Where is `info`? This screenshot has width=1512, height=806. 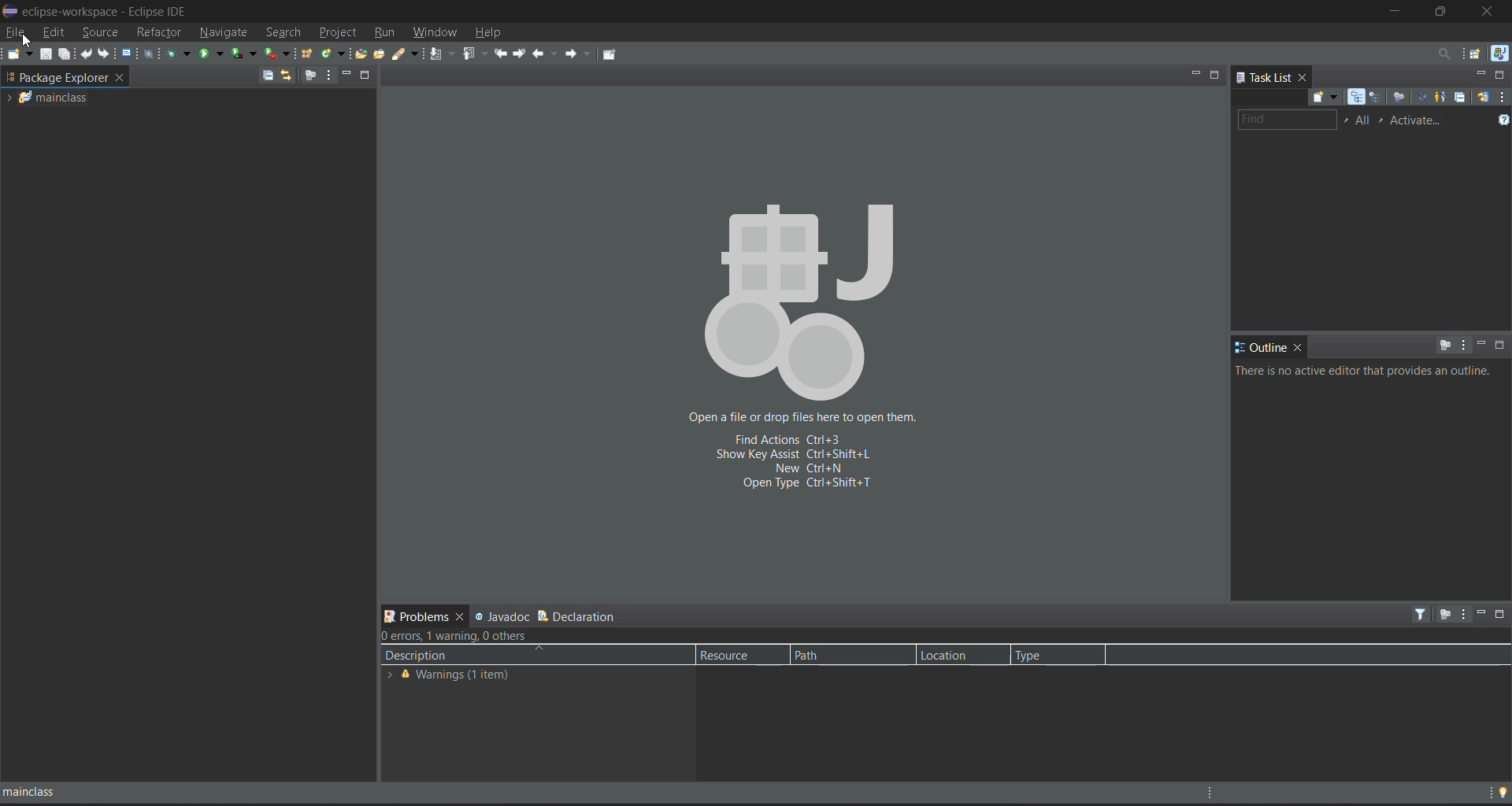
info is located at coordinates (1367, 371).